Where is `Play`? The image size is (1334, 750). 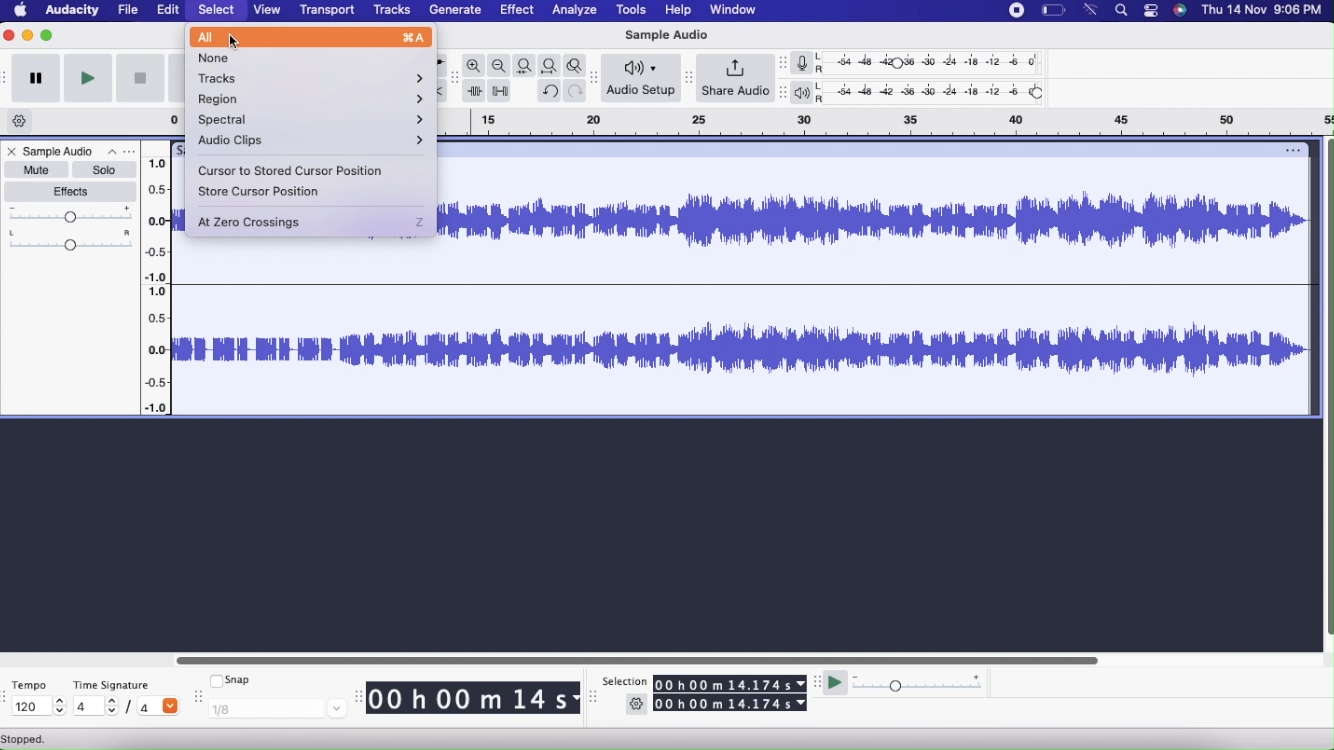 Play is located at coordinates (90, 78).